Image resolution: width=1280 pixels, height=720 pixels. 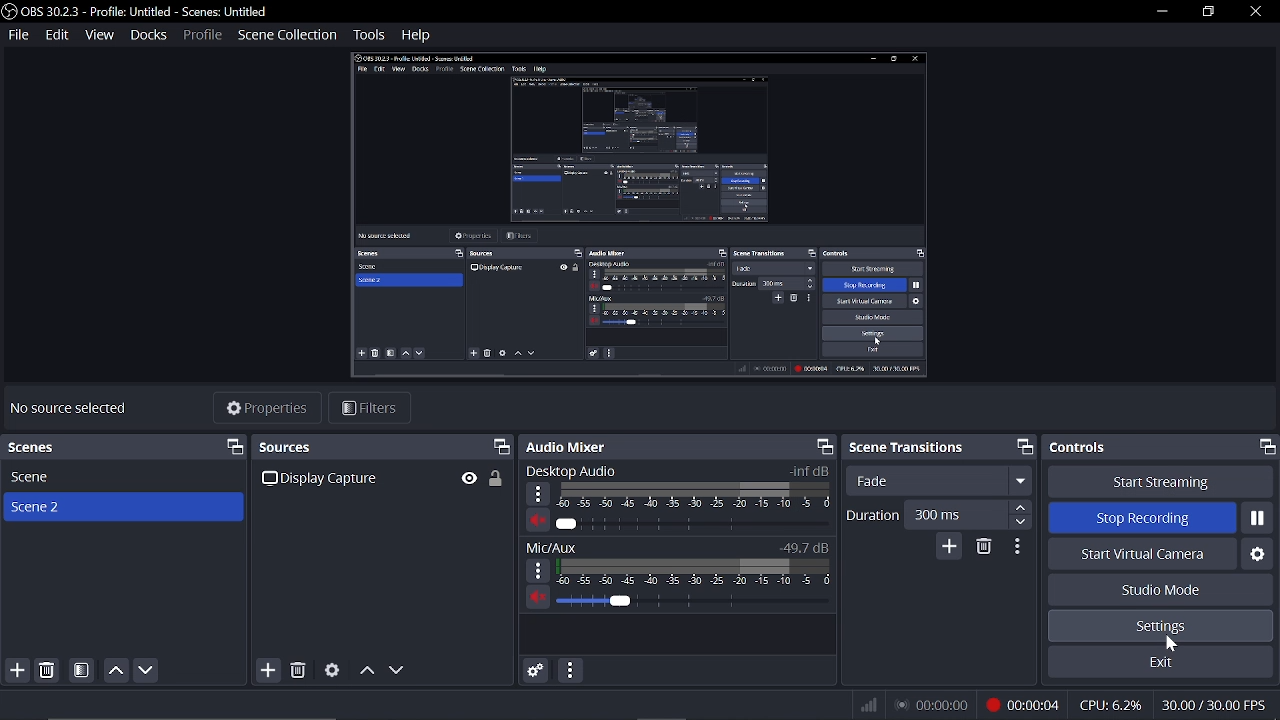 I want to click on move scene up, so click(x=115, y=671).